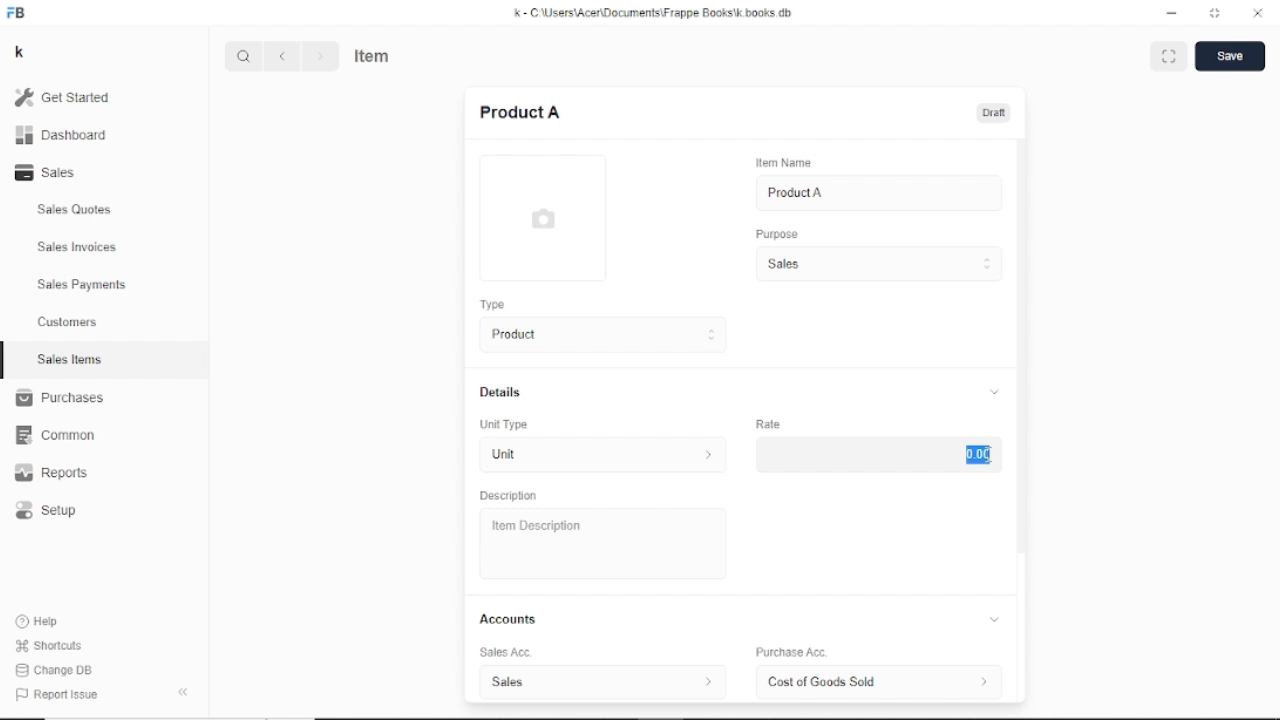  What do you see at coordinates (54, 693) in the screenshot?
I see `Report issue` at bounding box center [54, 693].